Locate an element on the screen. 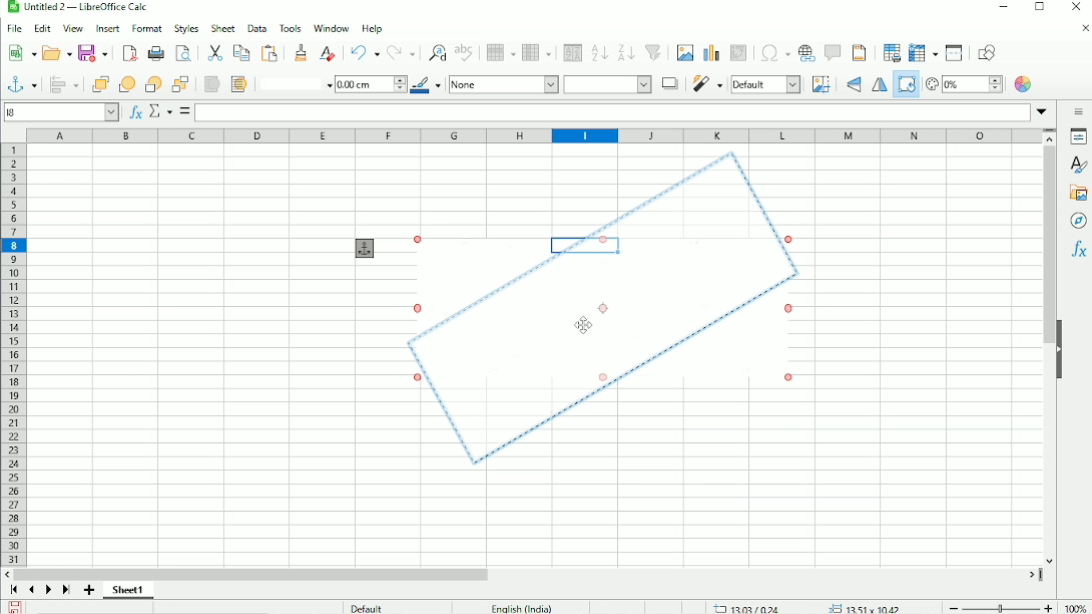 Image resolution: width=1092 pixels, height=614 pixels. Undo is located at coordinates (363, 53).